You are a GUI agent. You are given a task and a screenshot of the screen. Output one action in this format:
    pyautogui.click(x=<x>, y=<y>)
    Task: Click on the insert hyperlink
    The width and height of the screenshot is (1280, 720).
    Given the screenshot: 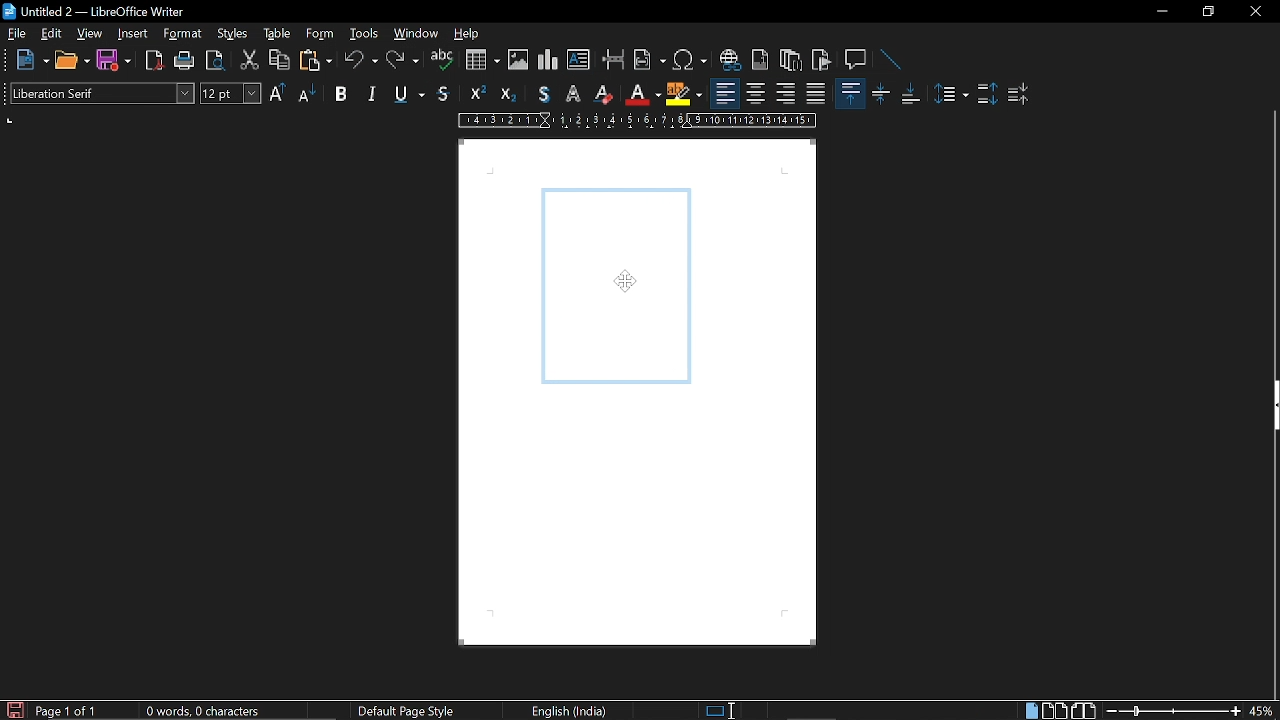 What is the action you would take?
    pyautogui.click(x=730, y=62)
    